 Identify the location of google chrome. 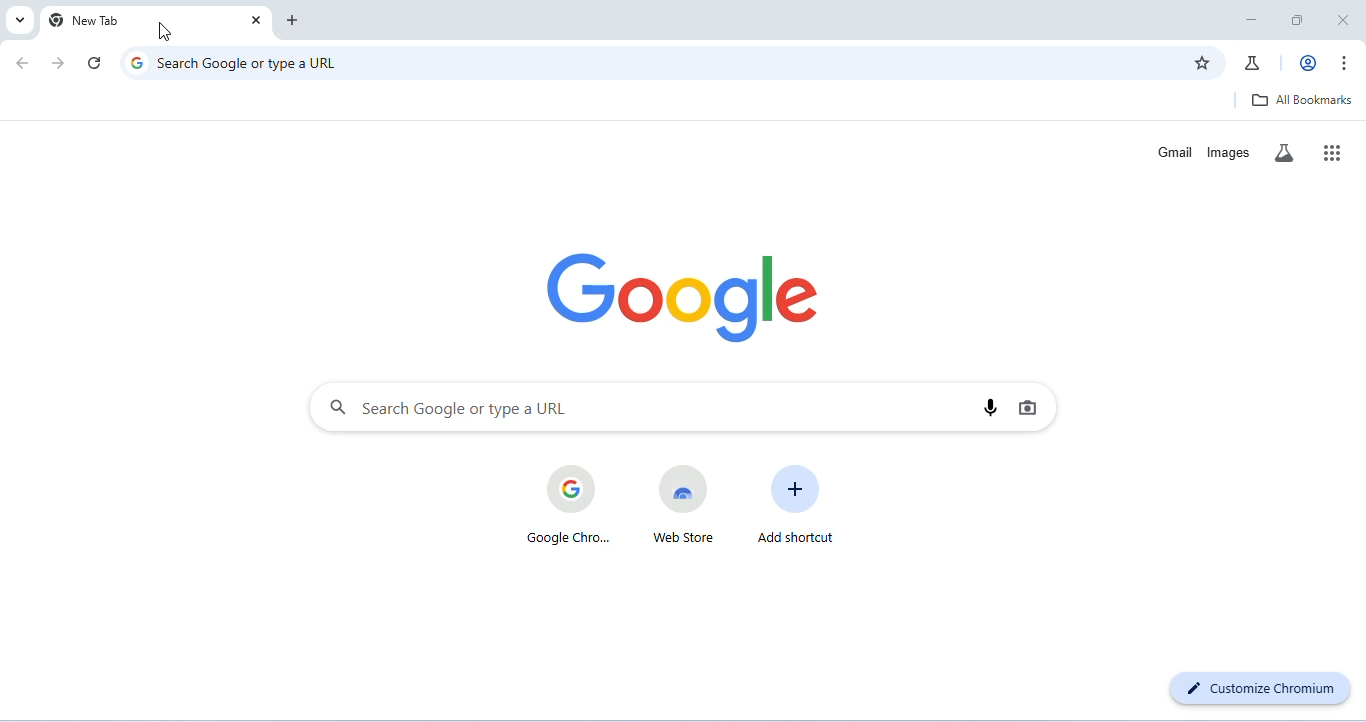
(565, 504).